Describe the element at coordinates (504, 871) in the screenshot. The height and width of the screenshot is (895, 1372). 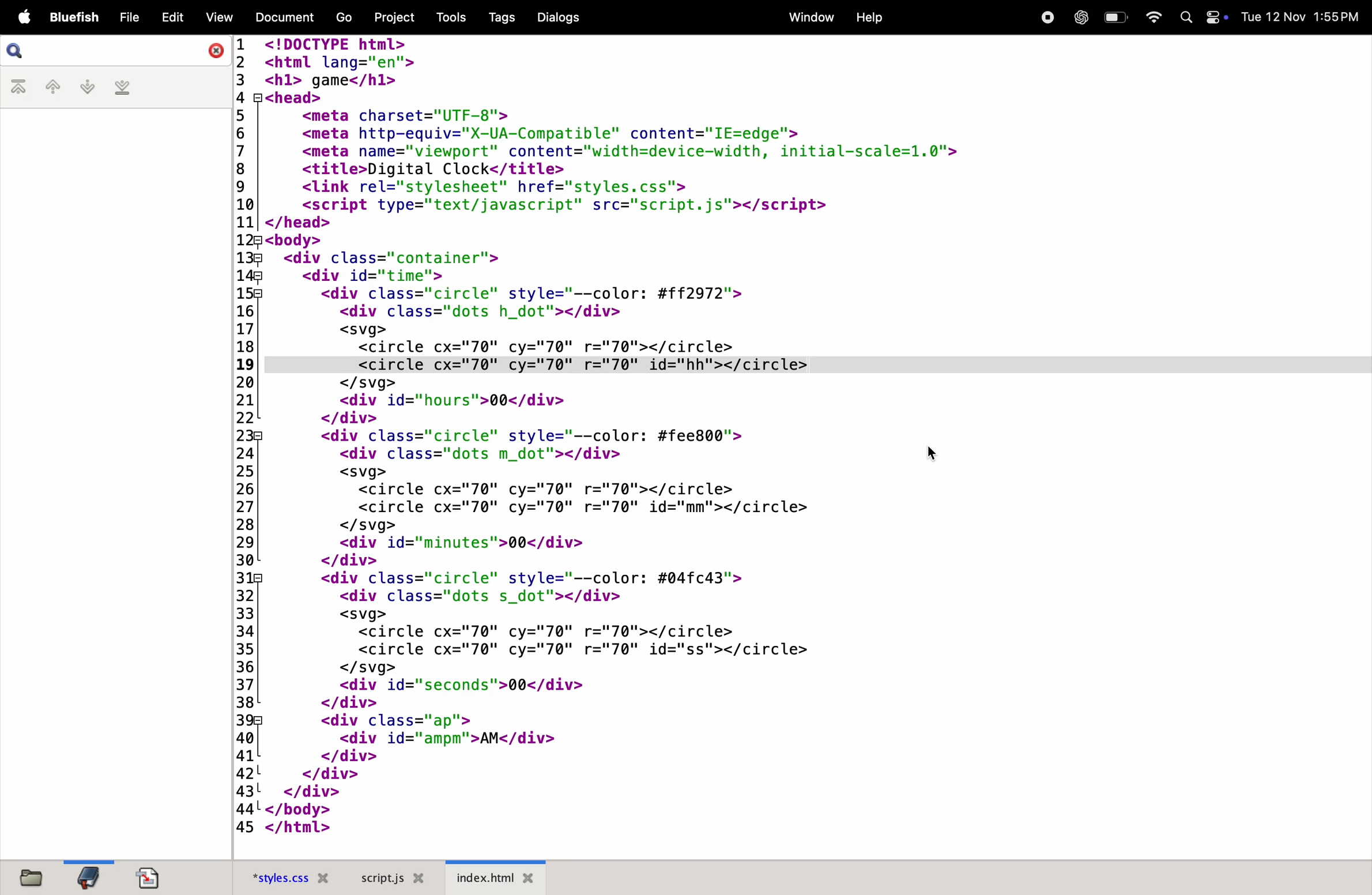
I see `index.html` at that location.